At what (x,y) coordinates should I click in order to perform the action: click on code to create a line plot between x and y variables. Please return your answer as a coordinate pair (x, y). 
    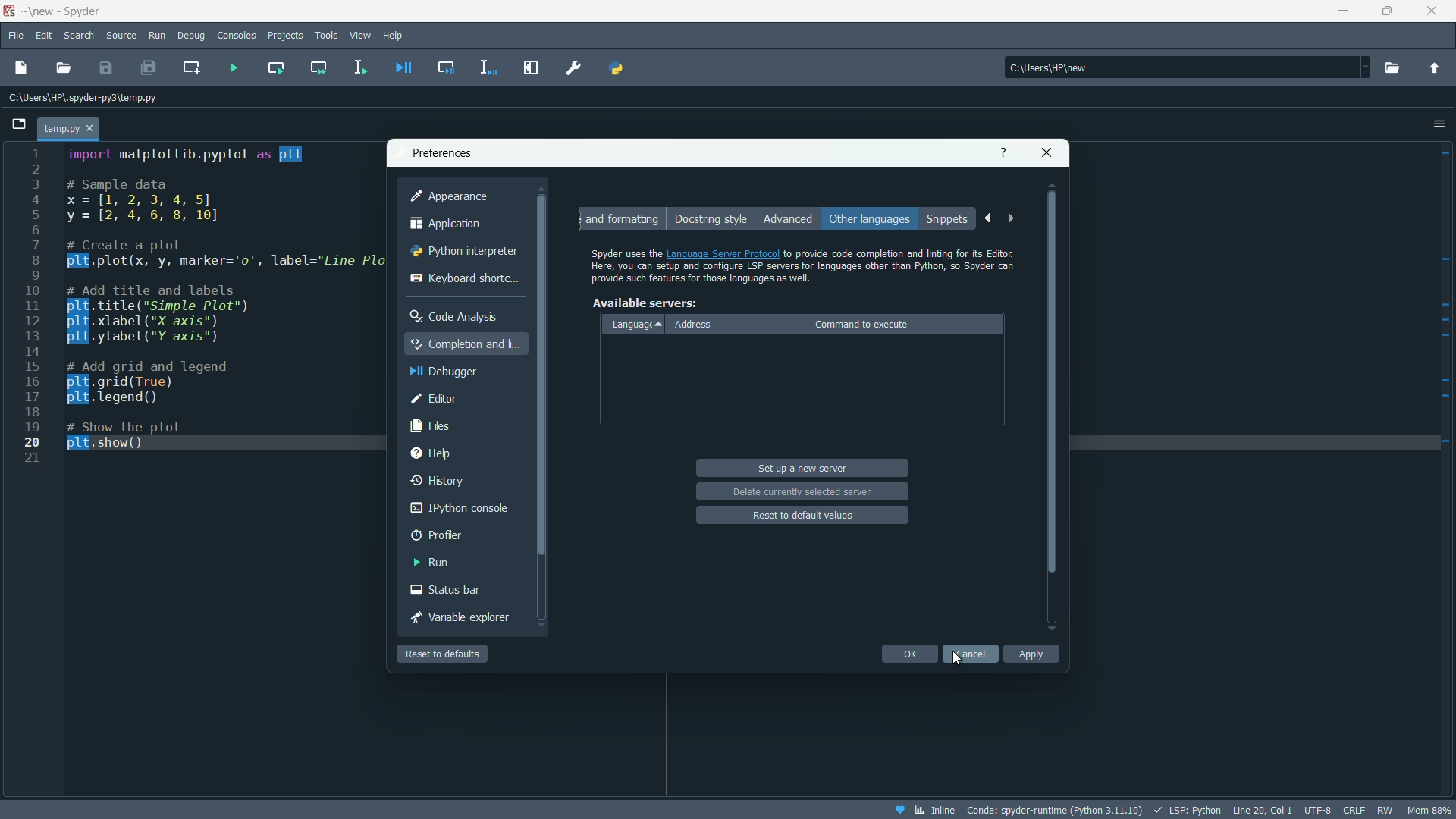
    Looking at the image, I should click on (221, 298).